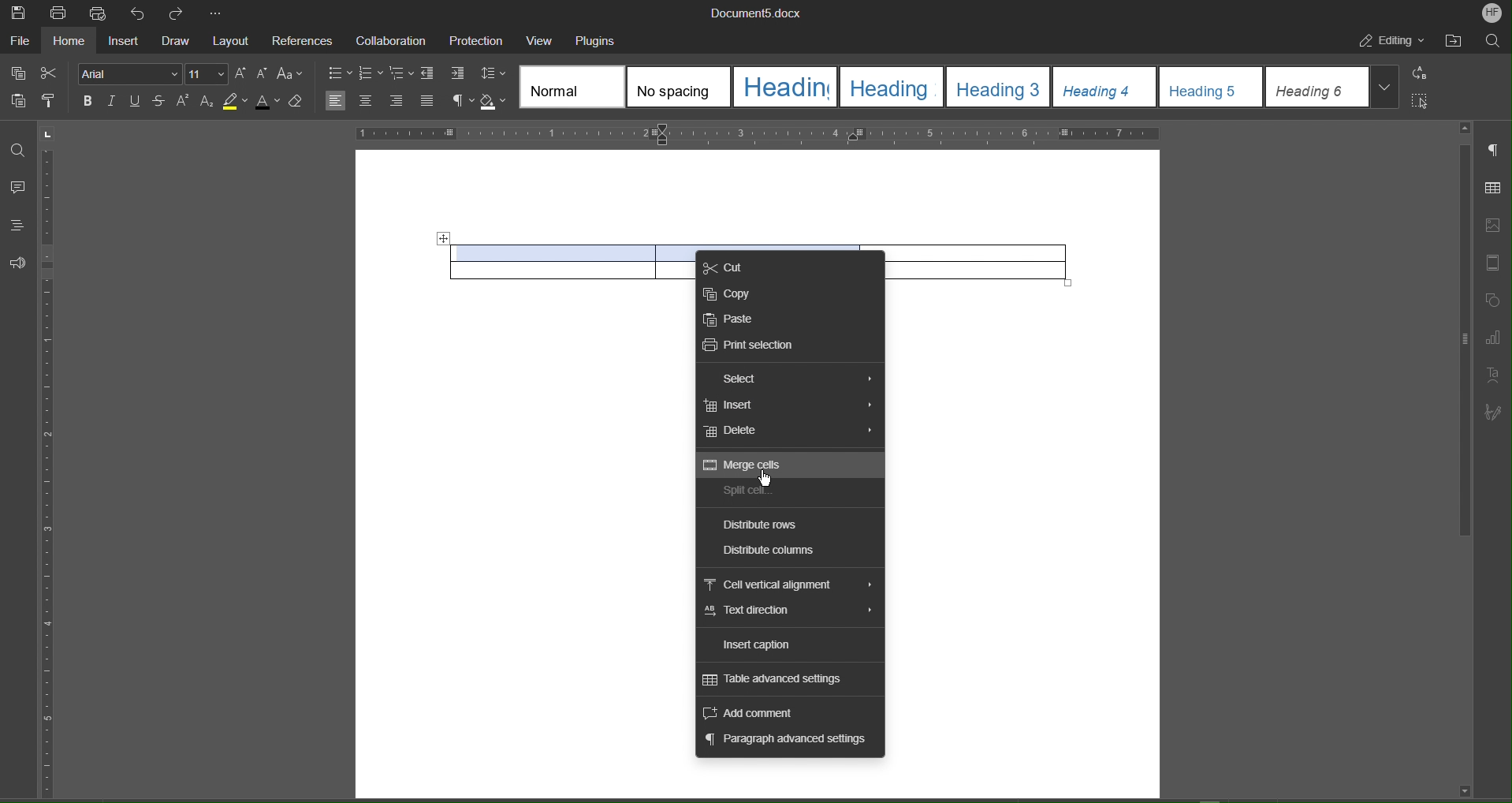 The height and width of the screenshot is (803, 1512). What do you see at coordinates (493, 74) in the screenshot?
I see `Line Spacing` at bounding box center [493, 74].